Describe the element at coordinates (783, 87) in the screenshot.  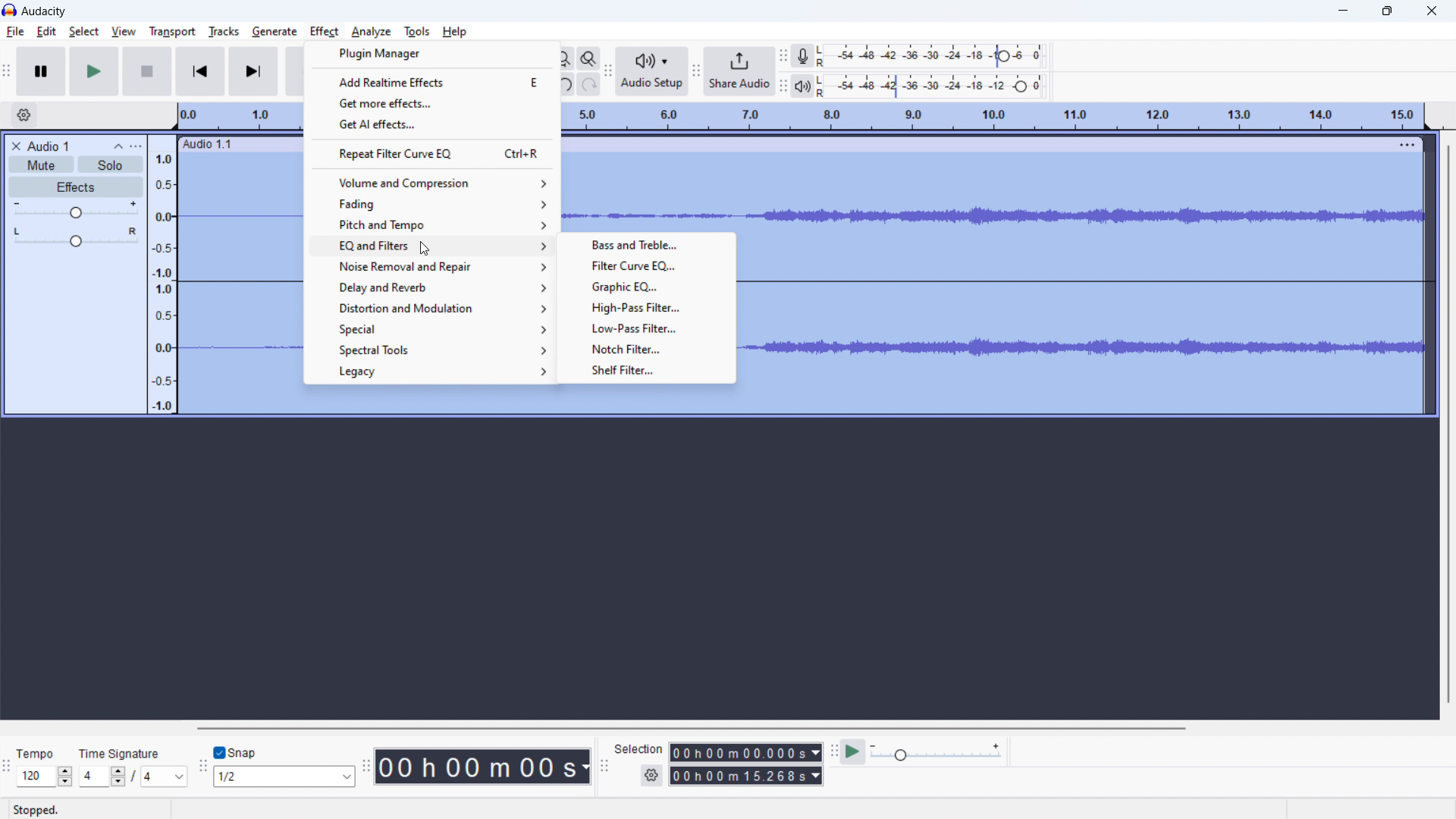
I see `playback meter toolbar` at that location.